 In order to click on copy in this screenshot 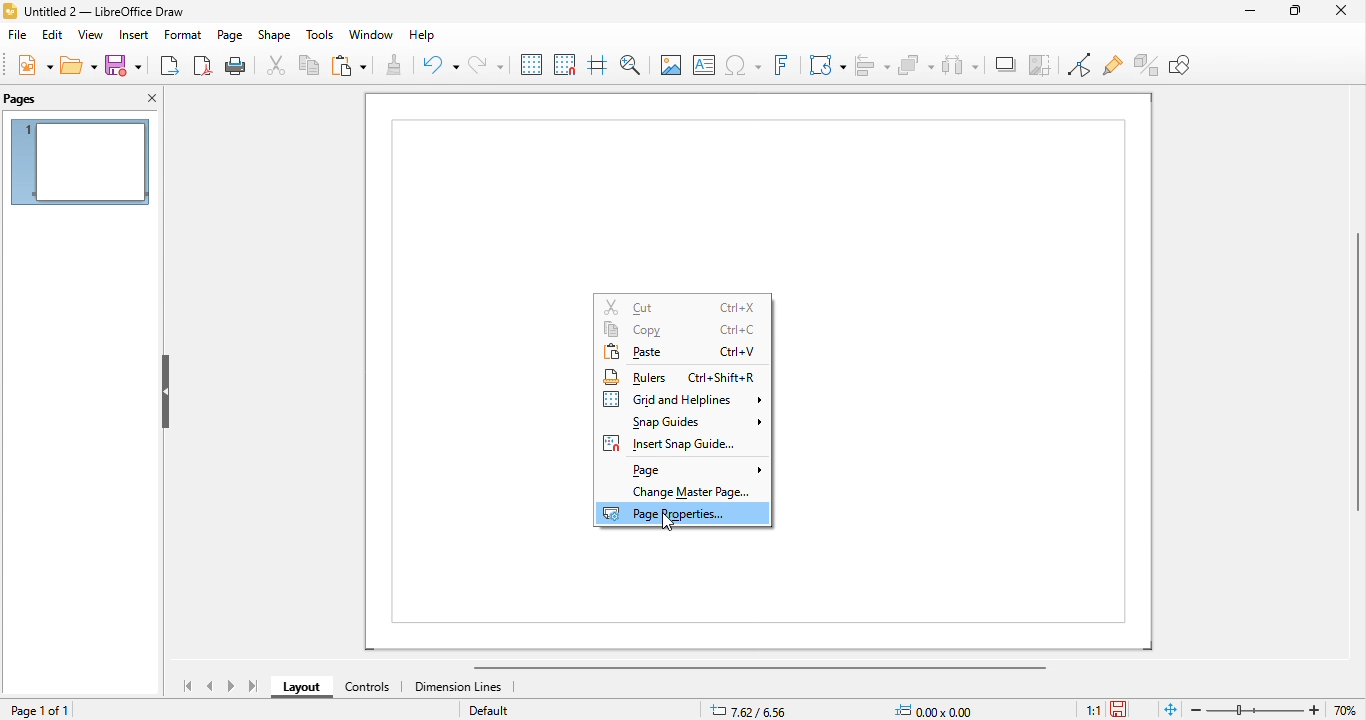, I will do `click(681, 331)`.